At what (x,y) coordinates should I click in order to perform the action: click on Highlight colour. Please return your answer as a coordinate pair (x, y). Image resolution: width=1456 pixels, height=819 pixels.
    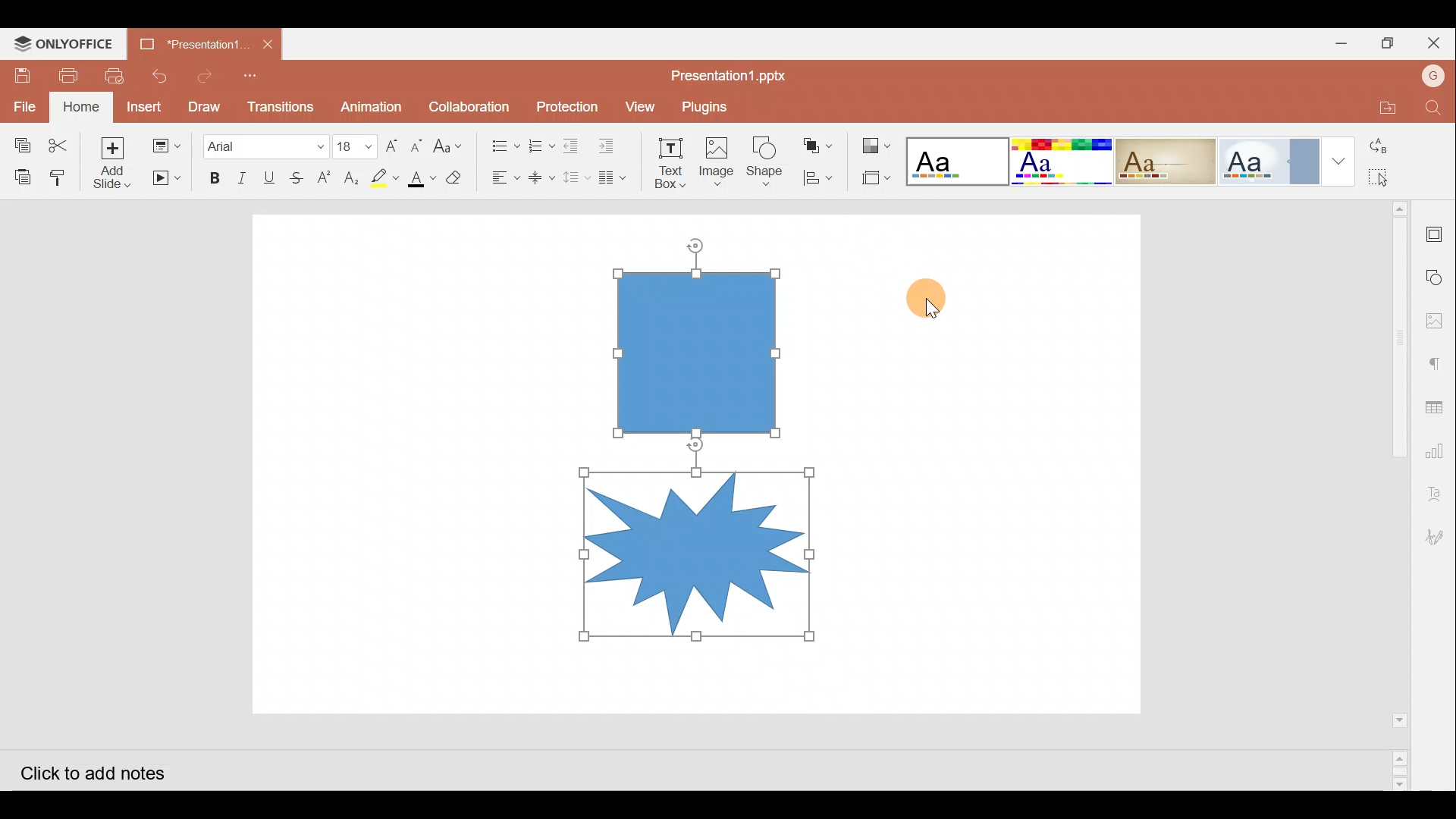
    Looking at the image, I should click on (388, 176).